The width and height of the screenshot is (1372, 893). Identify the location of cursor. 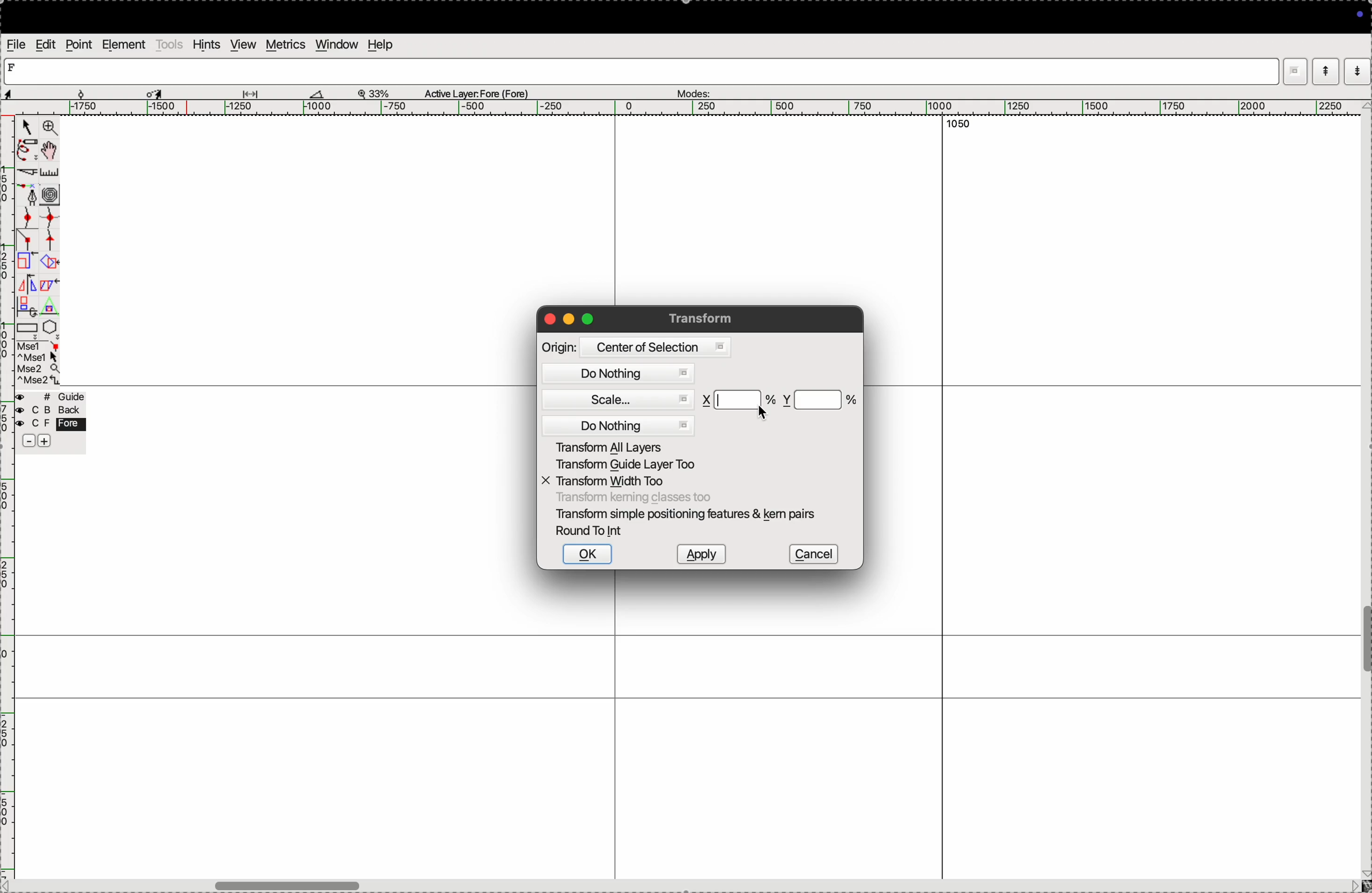
(763, 413).